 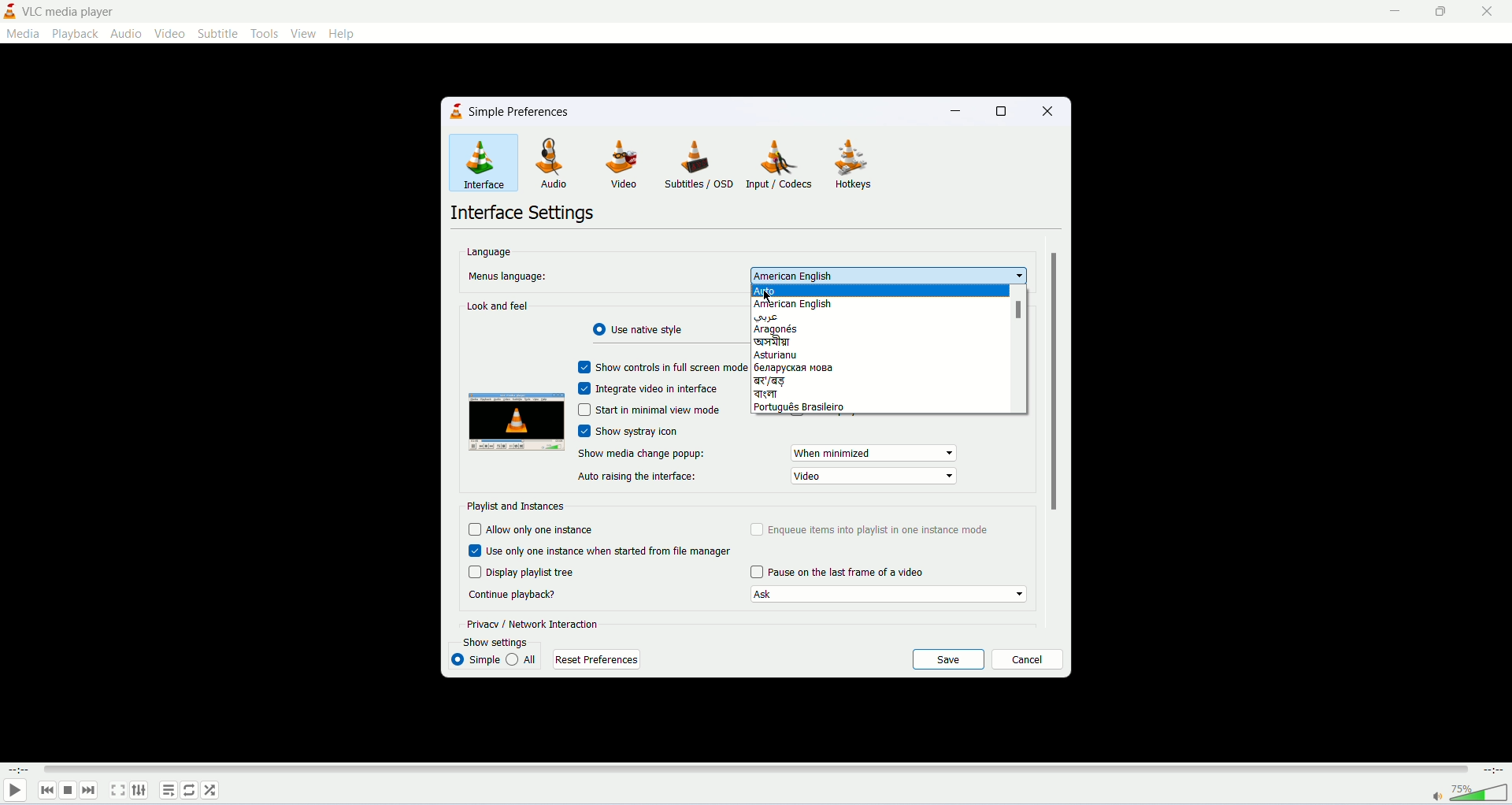 I want to click on loop, so click(x=188, y=790).